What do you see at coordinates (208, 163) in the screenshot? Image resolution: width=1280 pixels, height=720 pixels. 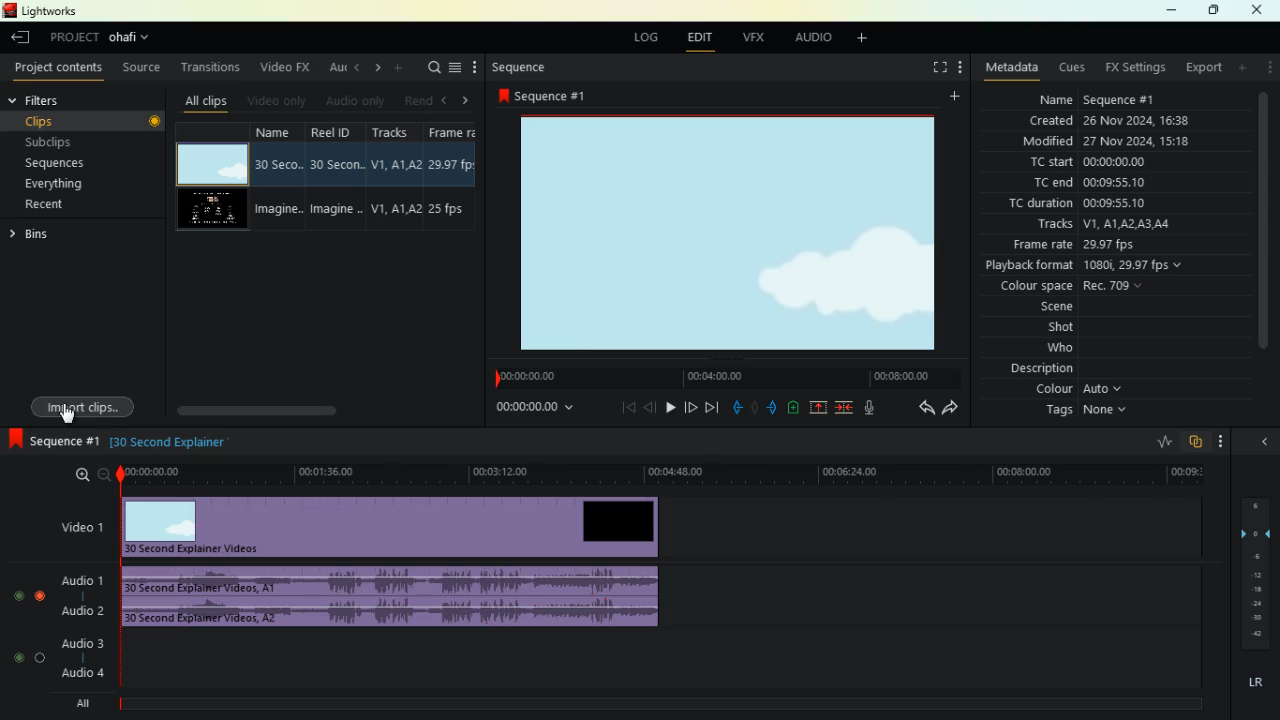 I see `video` at bounding box center [208, 163].